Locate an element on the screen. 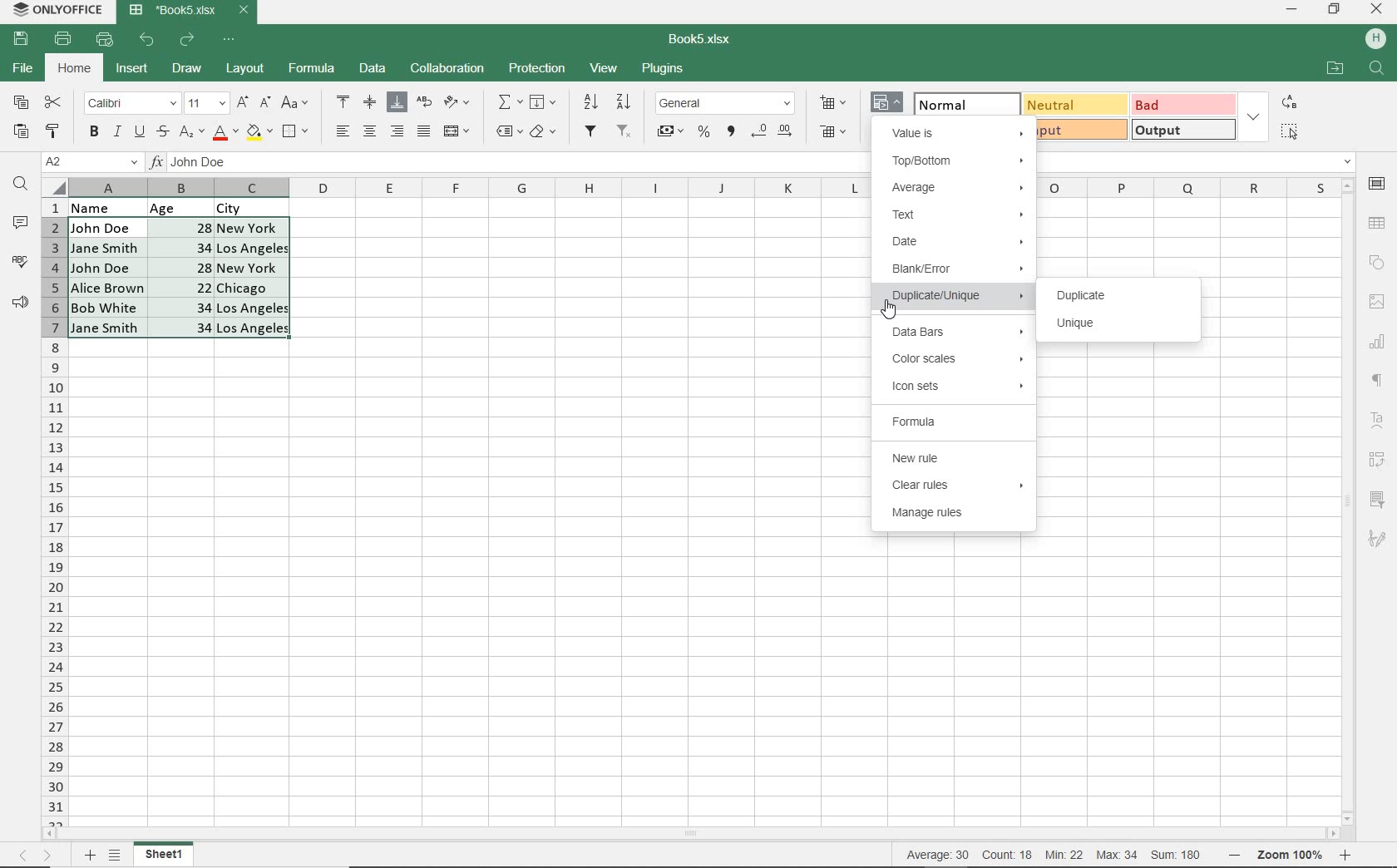 This screenshot has height=868, width=1397. DUPLICATE is located at coordinates (1087, 295).